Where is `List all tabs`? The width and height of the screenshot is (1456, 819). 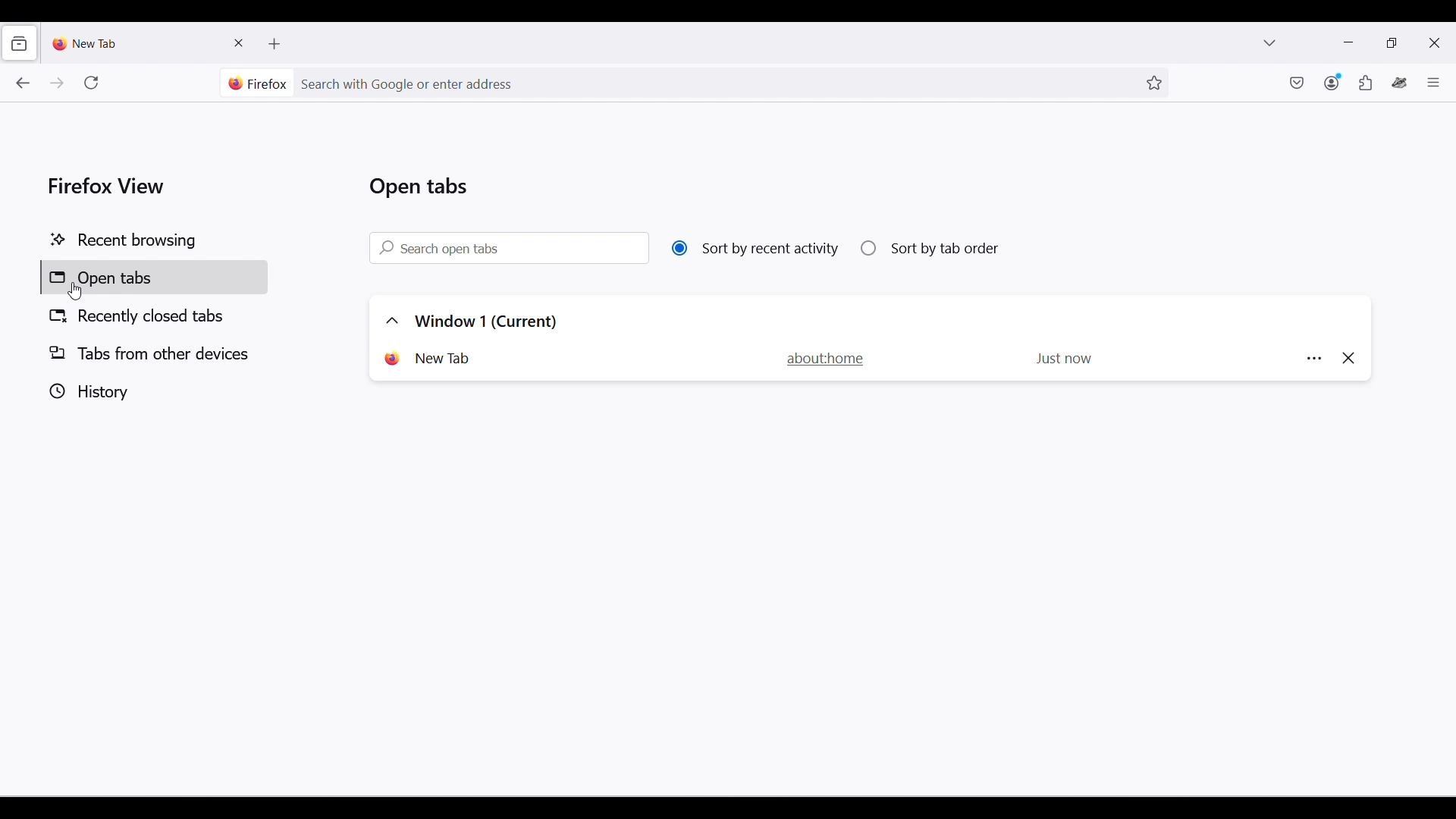 List all tabs is located at coordinates (1269, 42).